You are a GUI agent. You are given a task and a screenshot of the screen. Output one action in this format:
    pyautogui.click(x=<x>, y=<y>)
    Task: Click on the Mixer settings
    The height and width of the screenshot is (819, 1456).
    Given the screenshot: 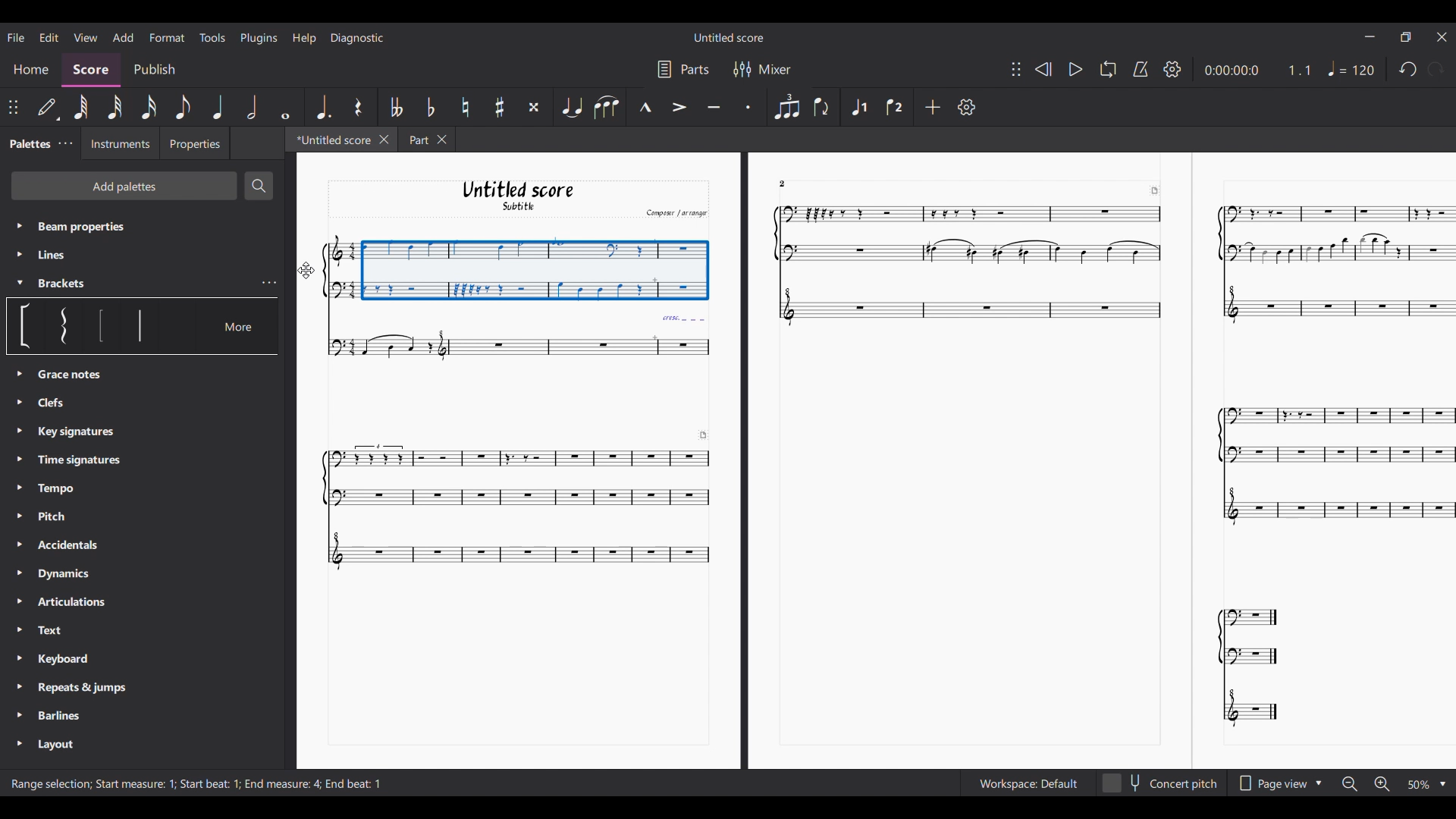 What is the action you would take?
    pyautogui.click(x=775, y=69)
    